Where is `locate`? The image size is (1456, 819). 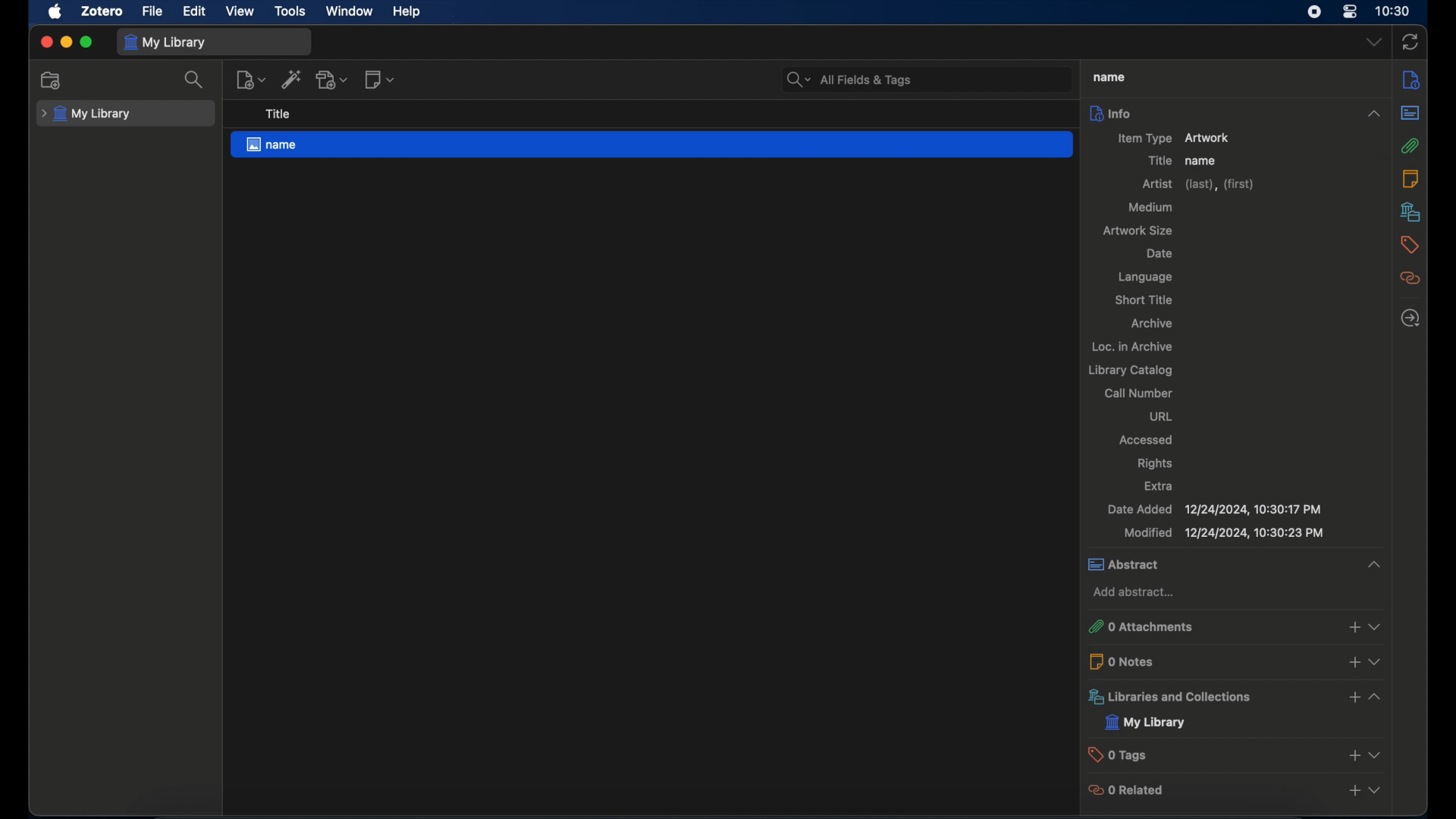 locate is located at coordinates (1411, 319).